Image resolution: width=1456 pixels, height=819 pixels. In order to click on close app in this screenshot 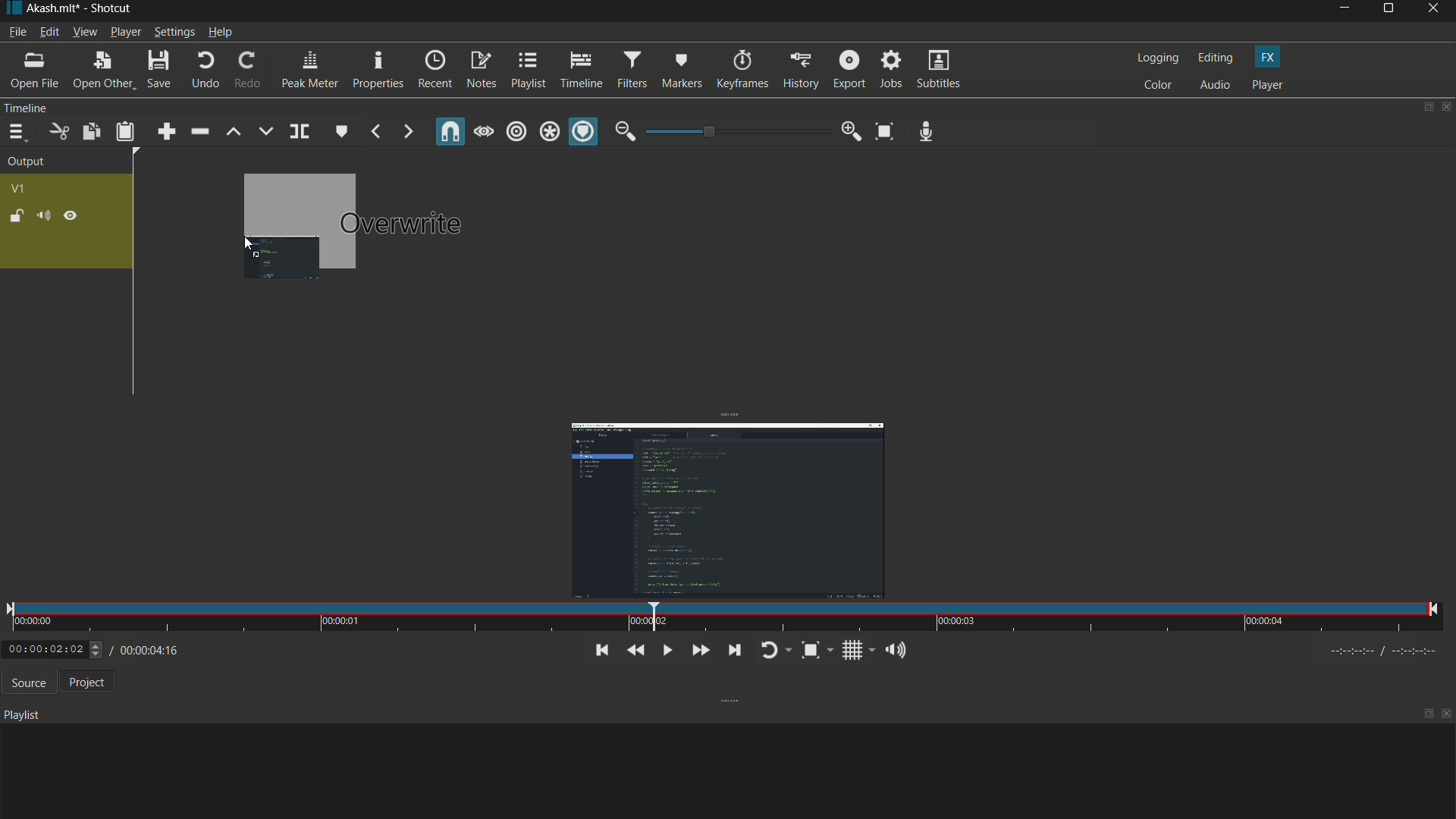, I will do `click(1436, 11)`.